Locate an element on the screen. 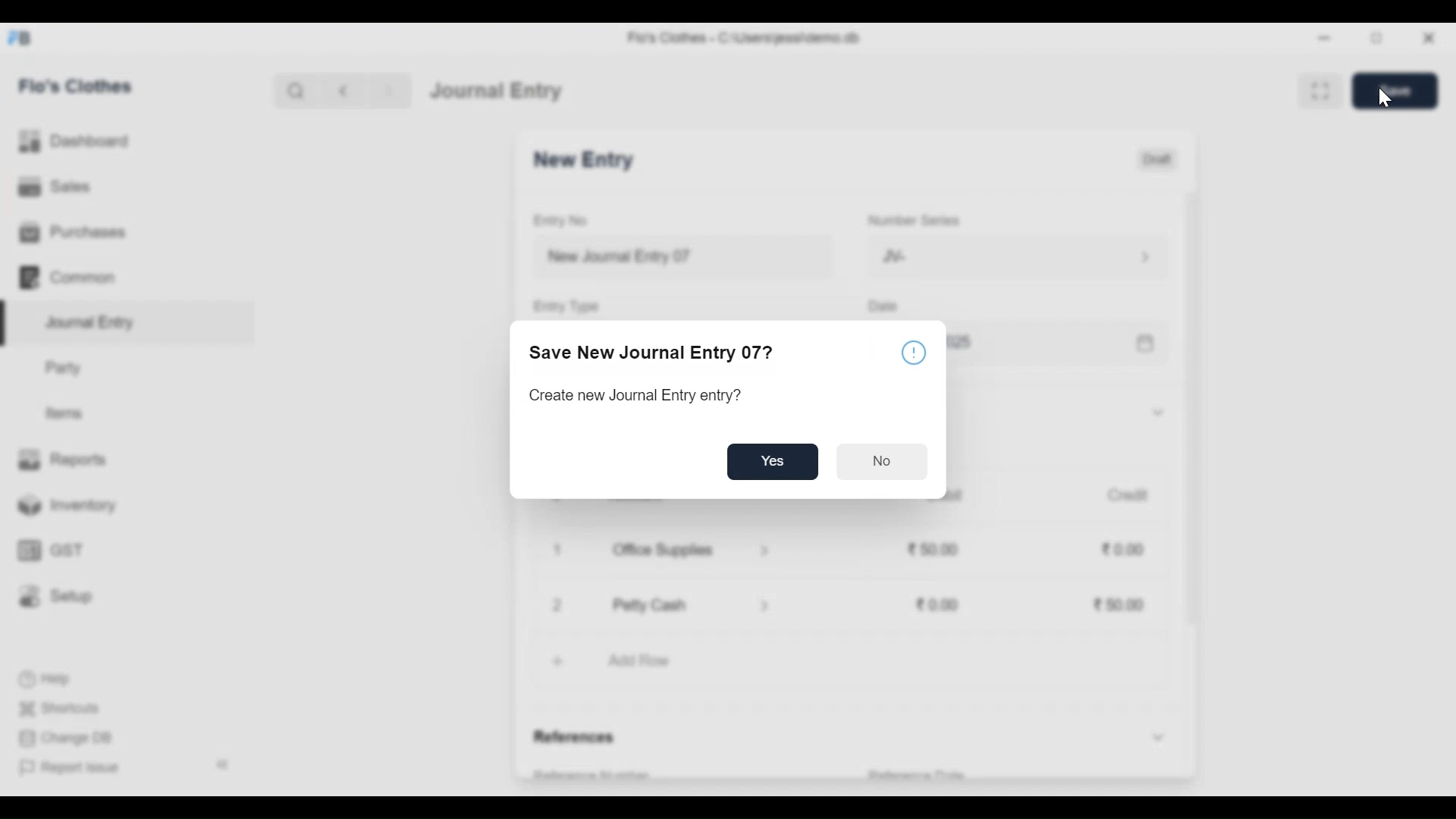 The height and width of the screenshot is (819, 1456). Yes is located at coordinates (773, 462).